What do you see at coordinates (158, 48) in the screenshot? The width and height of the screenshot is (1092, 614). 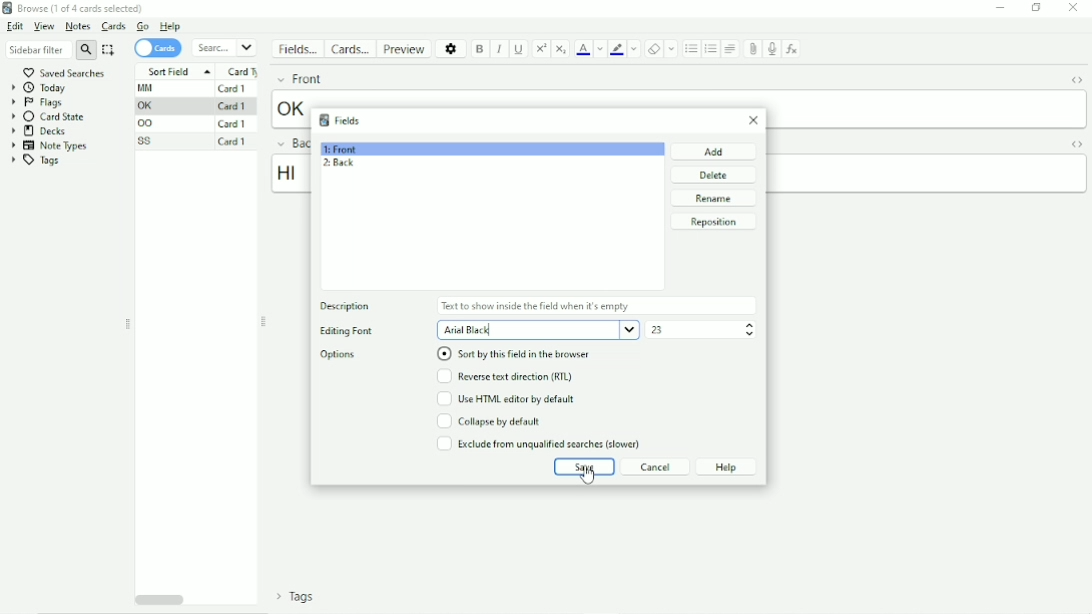 I see `Cards` at bounding box center [158, 48].